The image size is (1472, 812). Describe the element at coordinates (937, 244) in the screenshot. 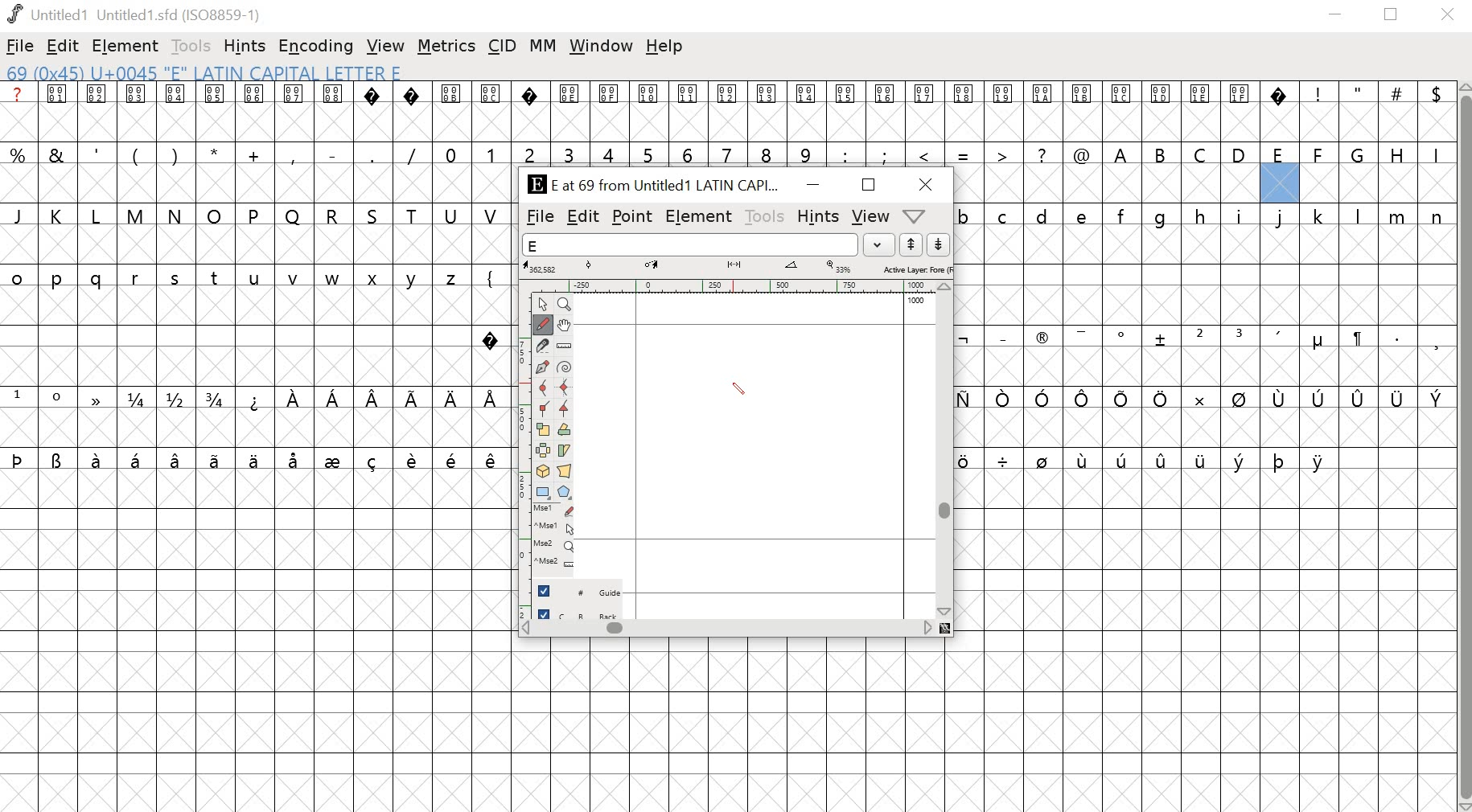

I see `down` at that location.